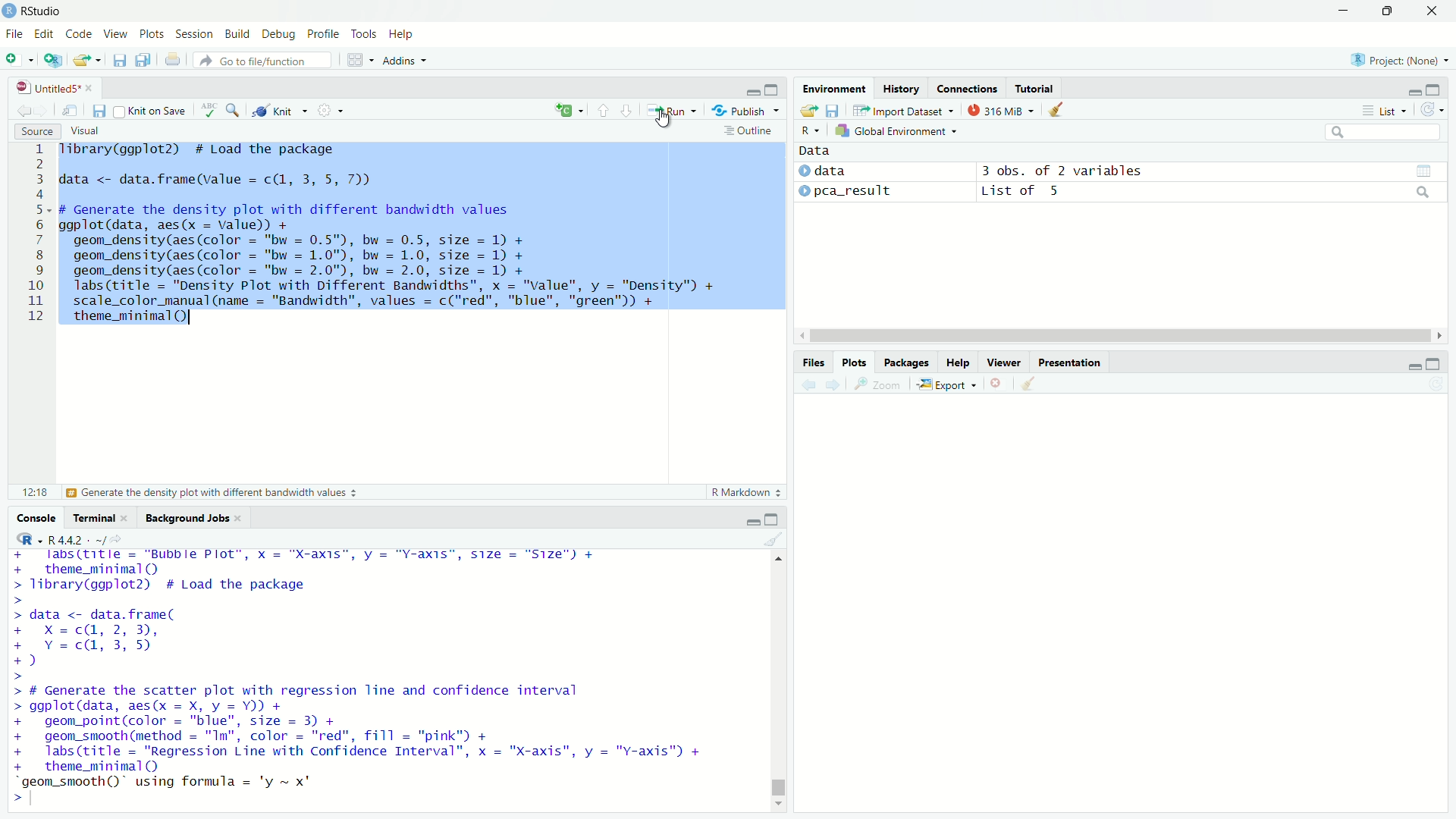 This screenshot has width=1456, height=819. I want to click on maximize, so click(773, 89).